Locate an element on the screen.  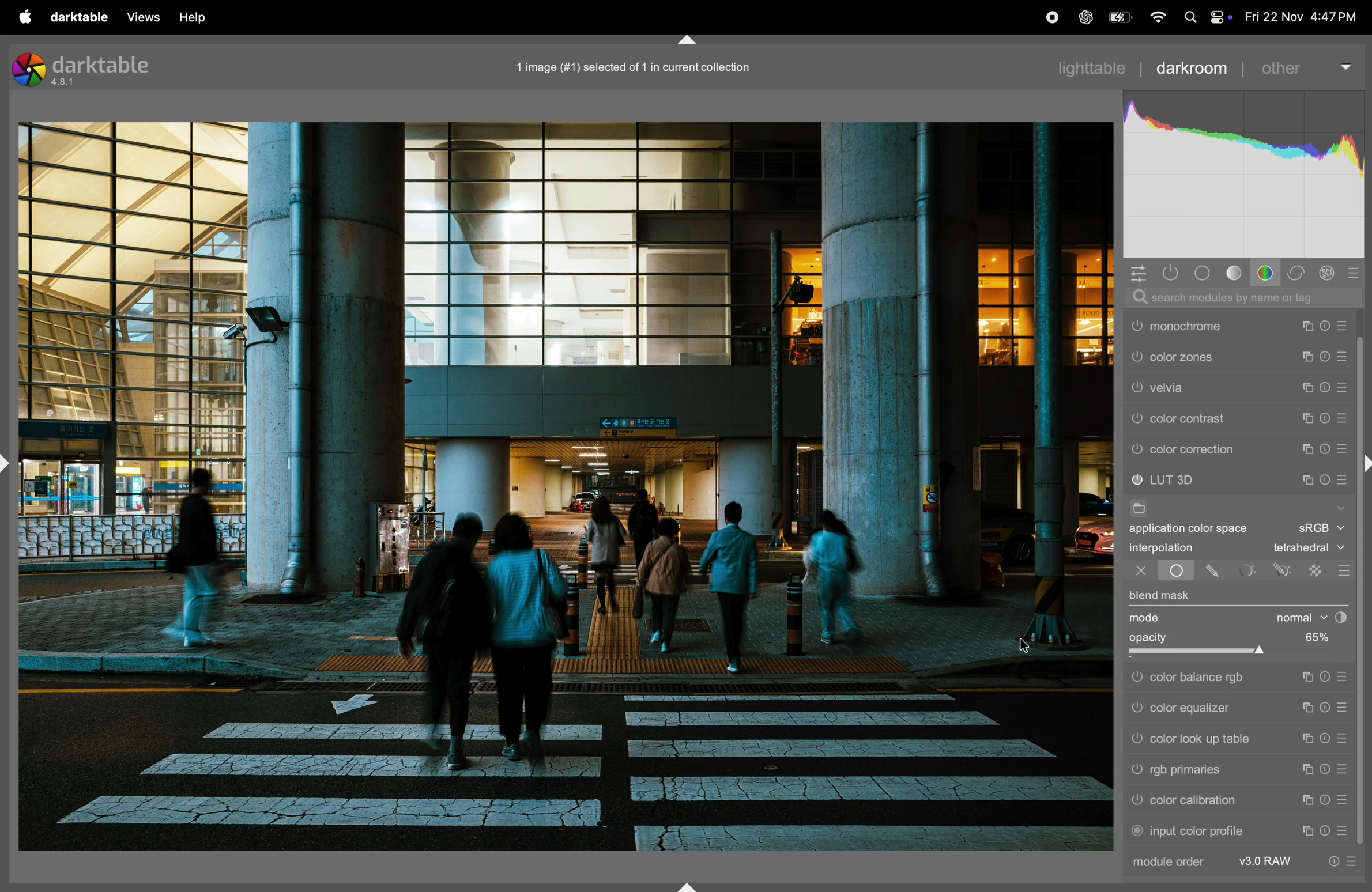
darktable version is located at coordinates (105, 70).